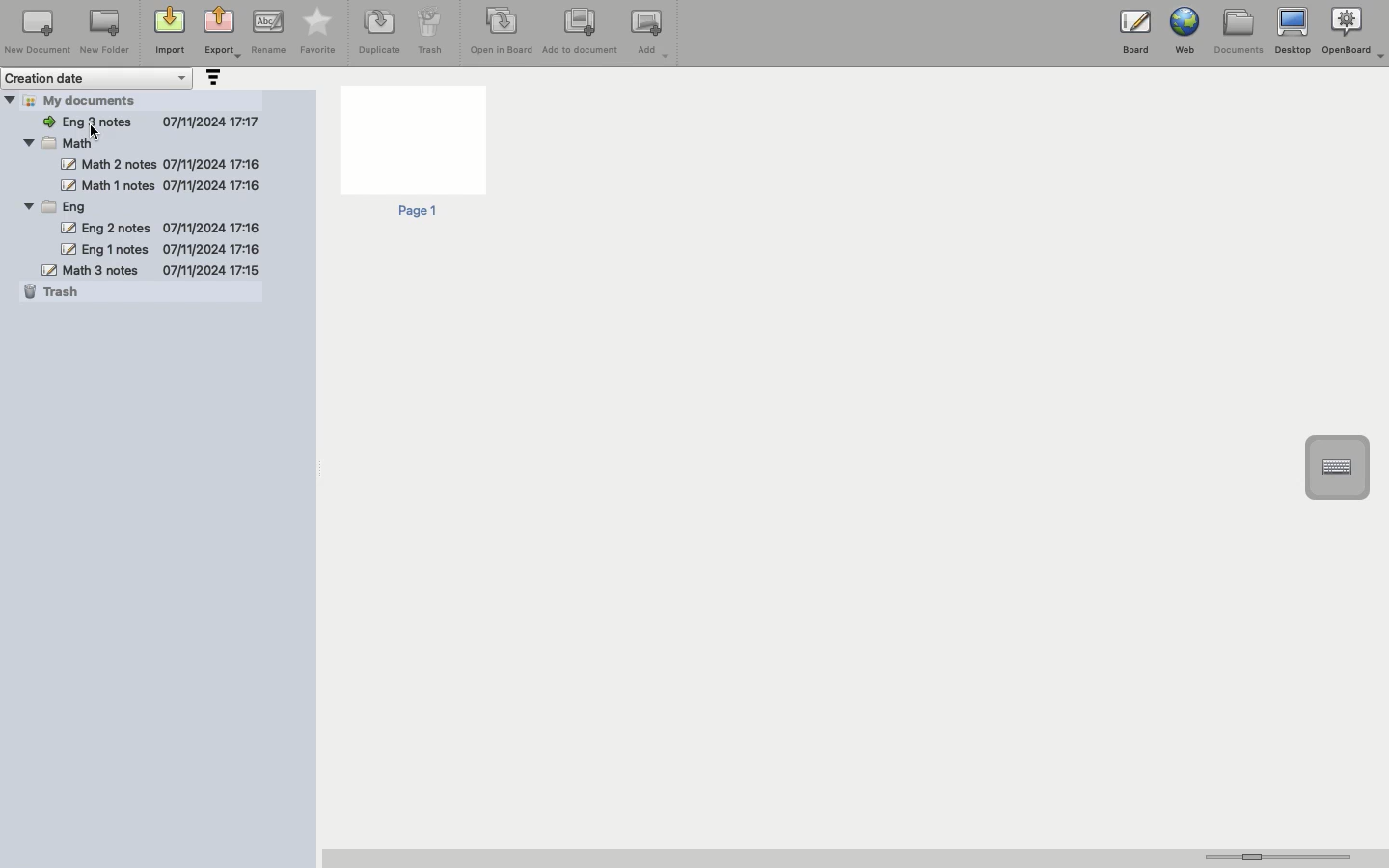 Image resolution: width=1389 pixels, height=868 pixels. Describe the element at coordinates (412, 153) in the screenshot. I see `Page 1` at that location.